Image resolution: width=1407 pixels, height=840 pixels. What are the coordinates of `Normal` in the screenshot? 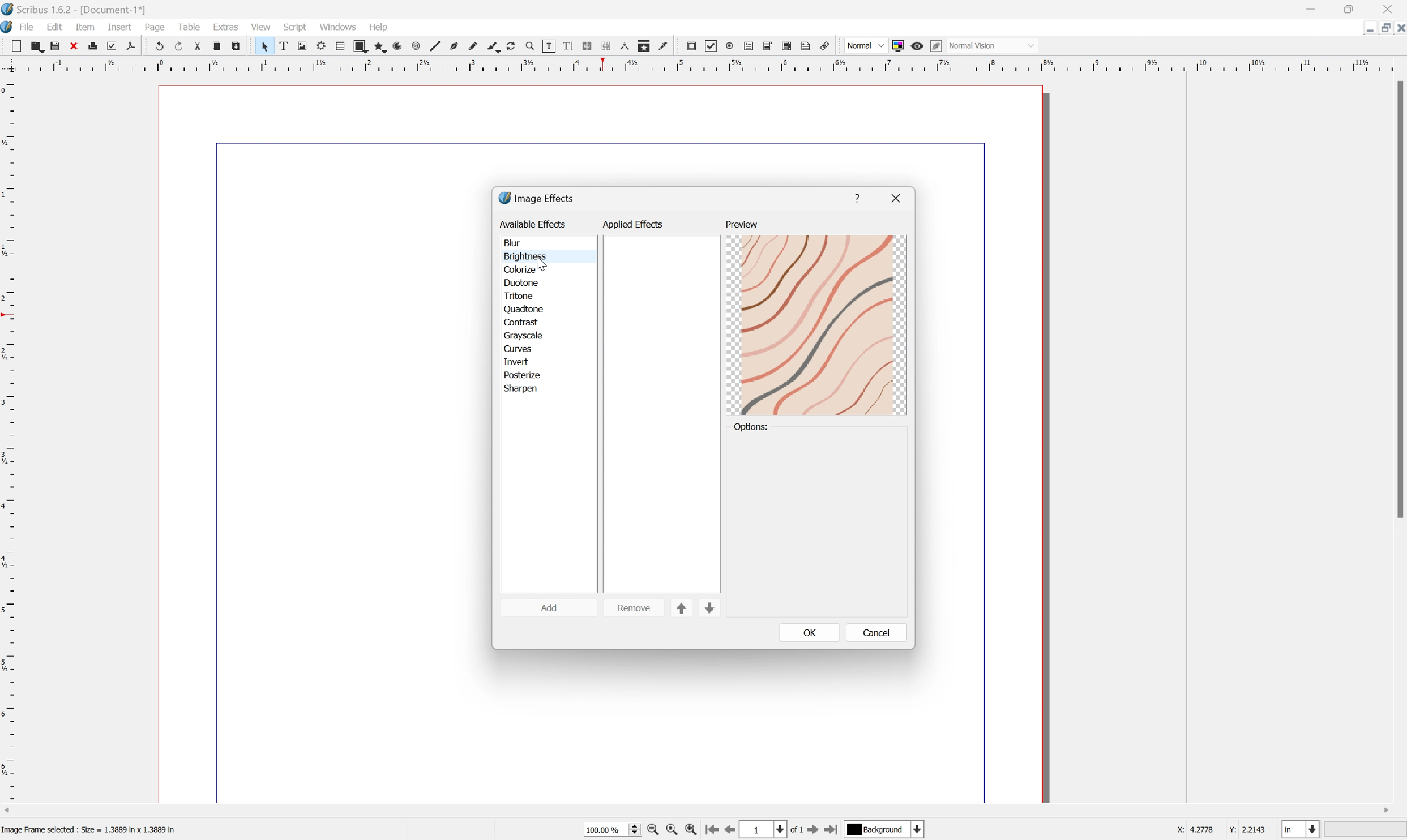 It's located at (865, 46).